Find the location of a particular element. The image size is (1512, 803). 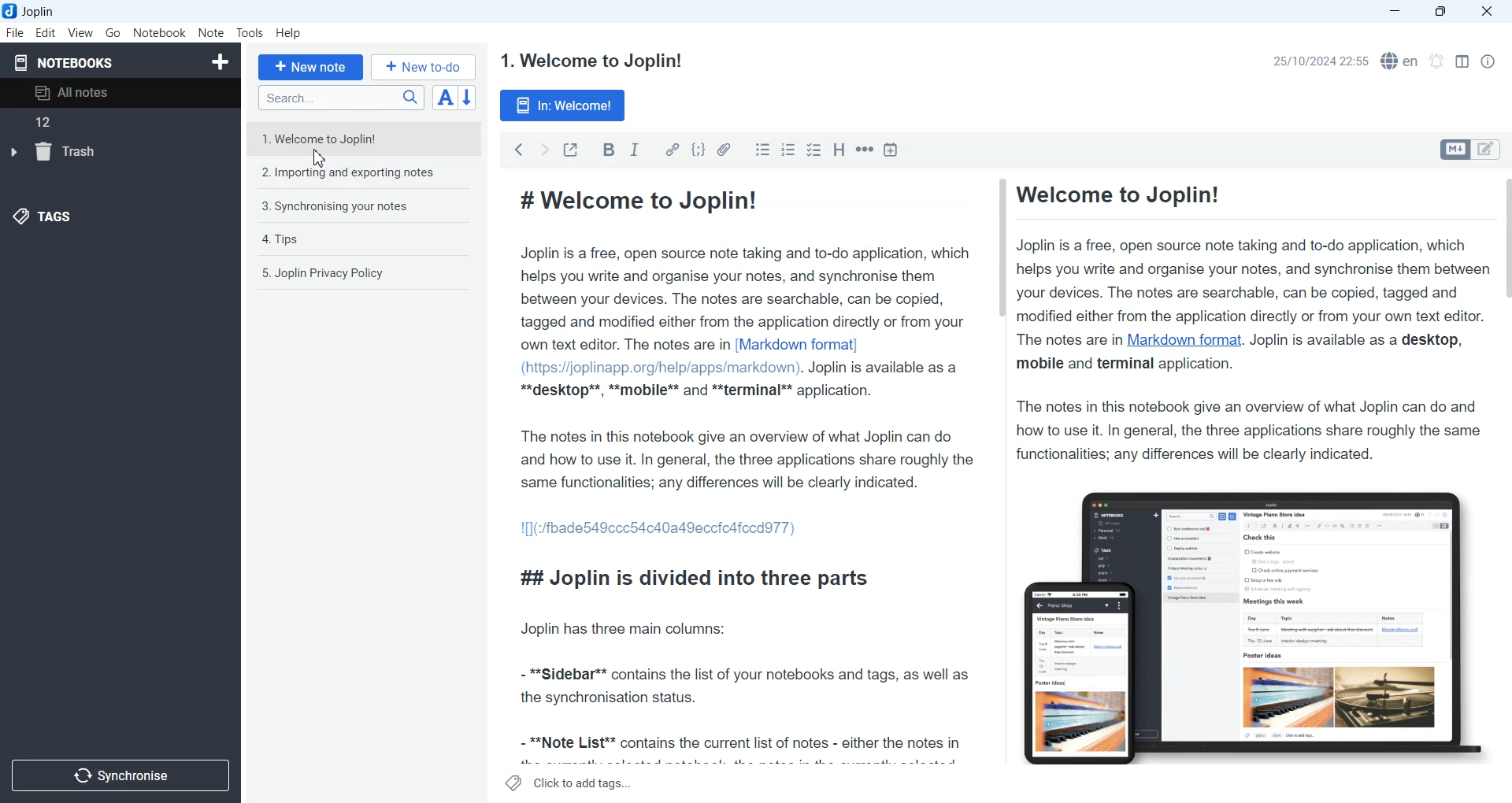

+ New note is located at coordinates (311, 67).